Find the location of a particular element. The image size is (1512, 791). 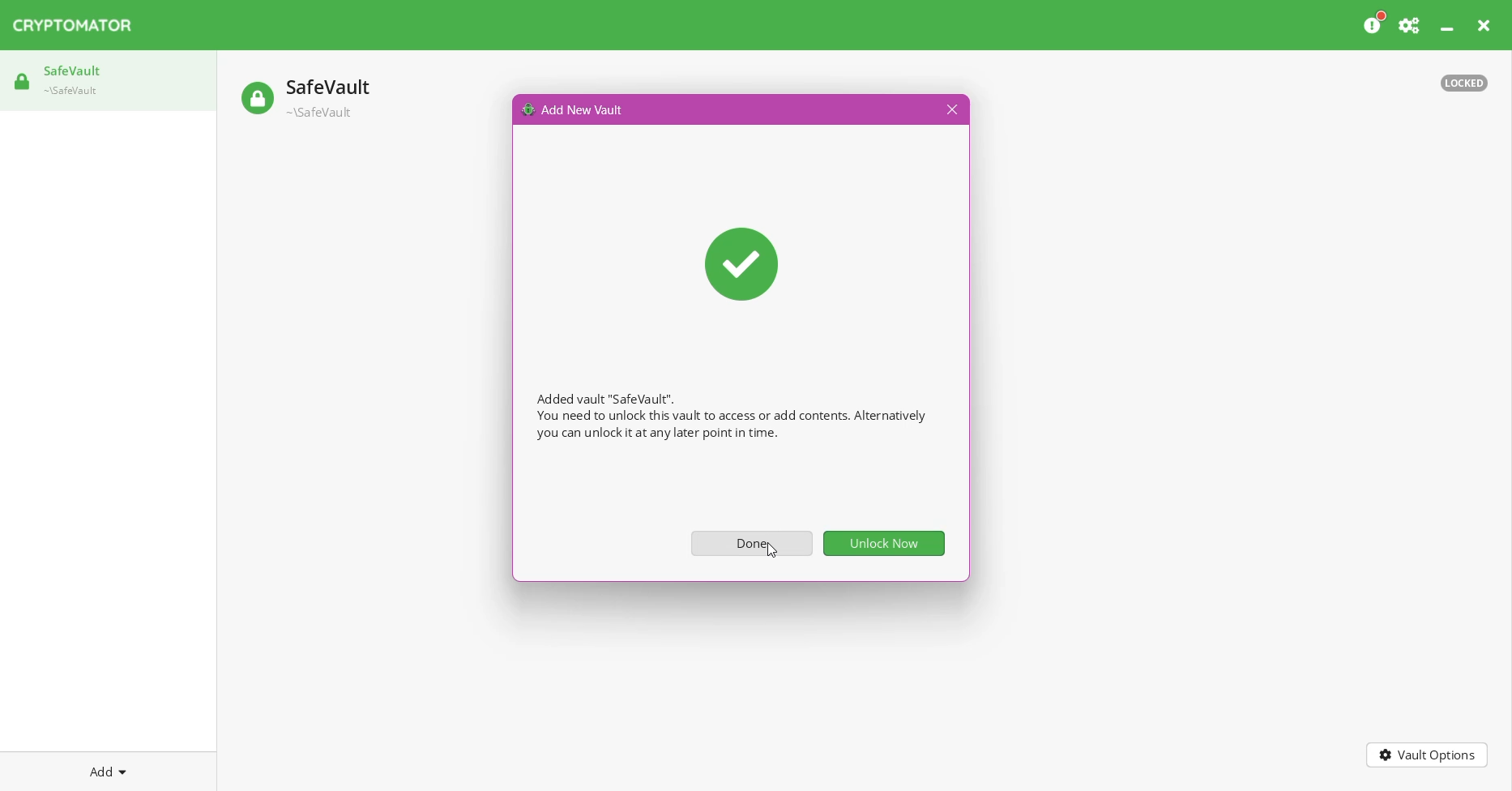

Unlock now is located at coordinates (886, 543).